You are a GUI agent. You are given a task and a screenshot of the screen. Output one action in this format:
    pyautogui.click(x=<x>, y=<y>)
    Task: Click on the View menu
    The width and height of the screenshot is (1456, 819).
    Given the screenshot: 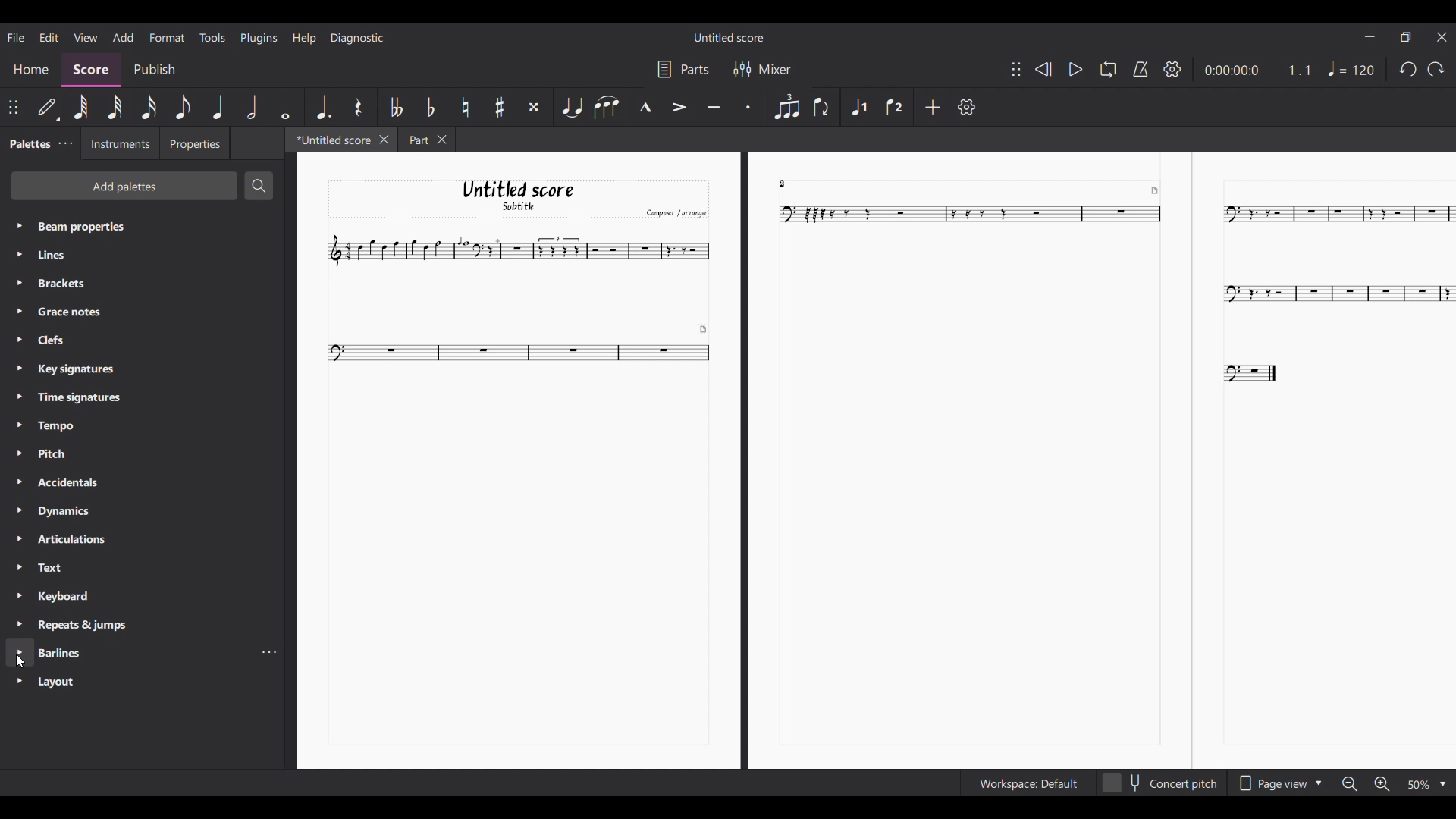 What is the action you would take?
    pyautogui.click(x=86, y=36)
    